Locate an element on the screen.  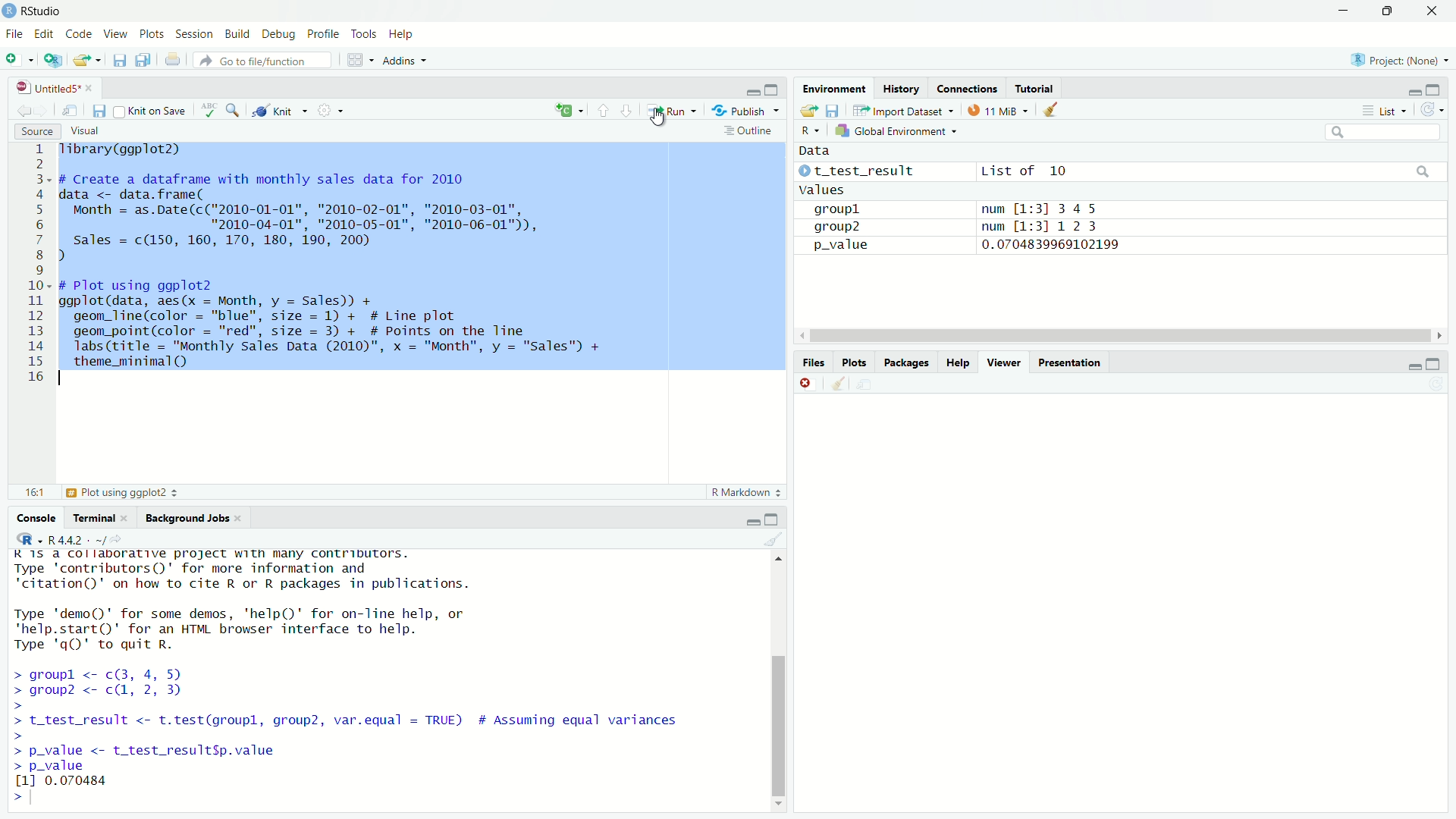
clear workspace is located at coordinates (836, 385).